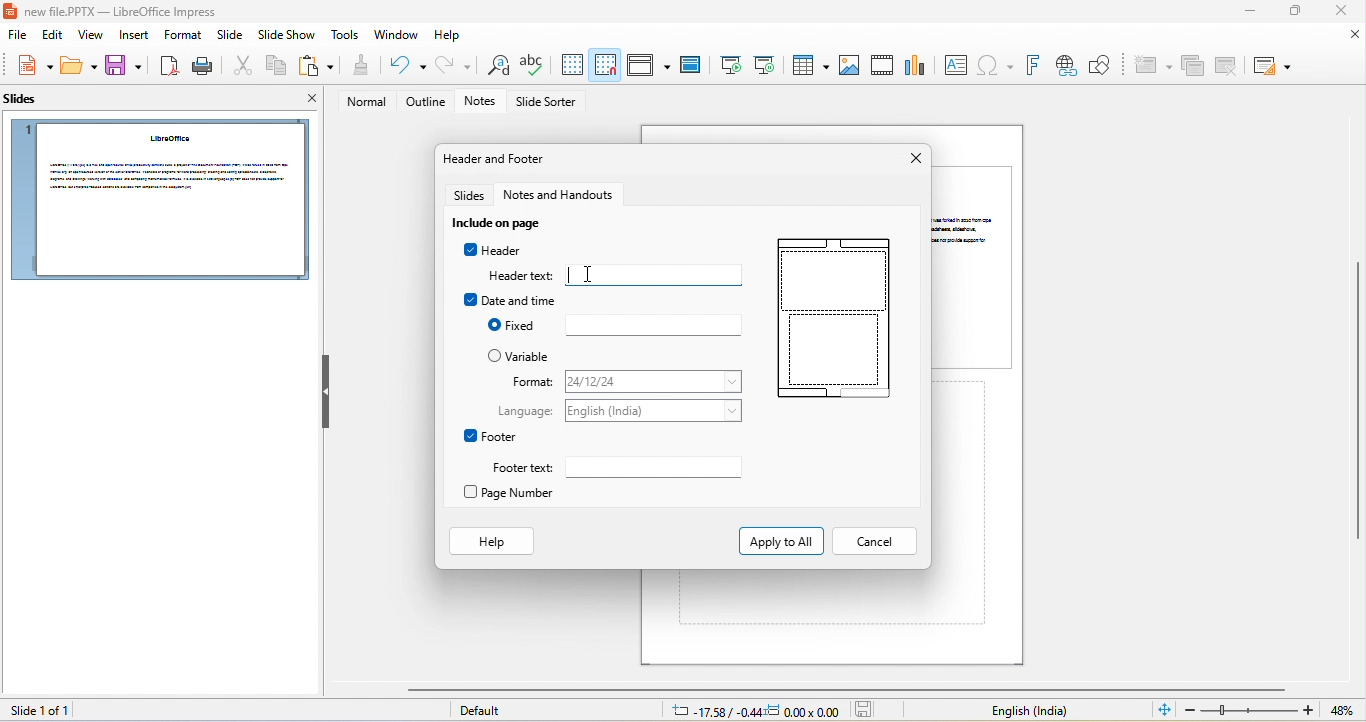 This screenshot has height=722, width=1366. I want to click on redo, so click(454, 65).